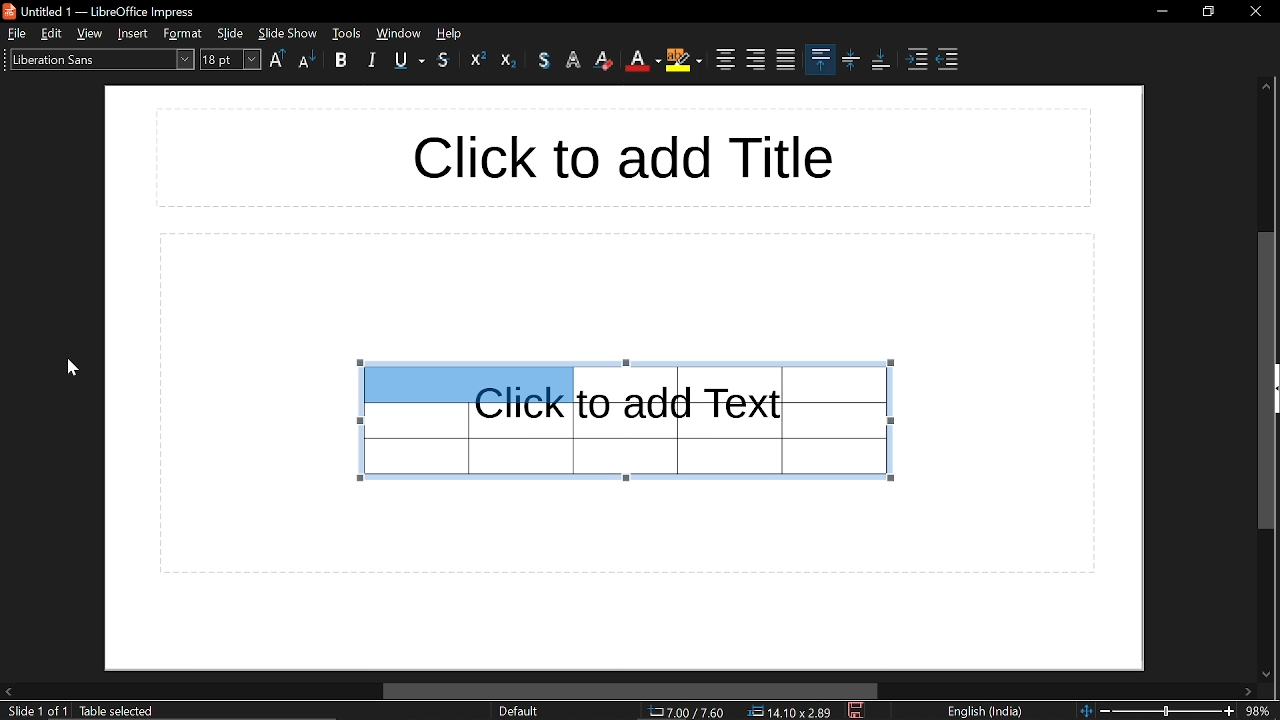  Describe the element at coordinates (398, 33) in the screenshot. I see `tools` at that location.